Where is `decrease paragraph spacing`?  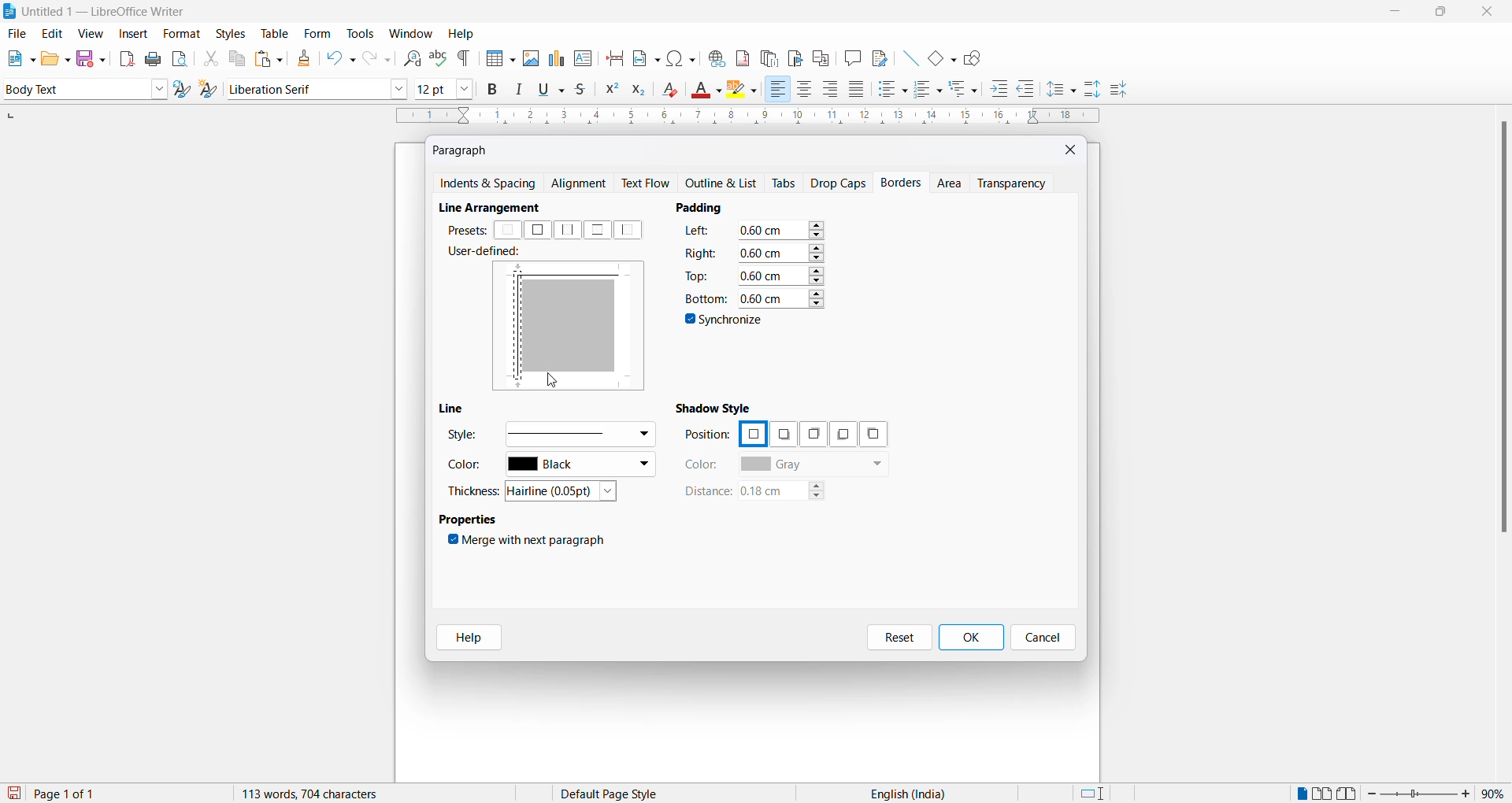 decrease paragraph spacing is located at coordinates (1117, 91).